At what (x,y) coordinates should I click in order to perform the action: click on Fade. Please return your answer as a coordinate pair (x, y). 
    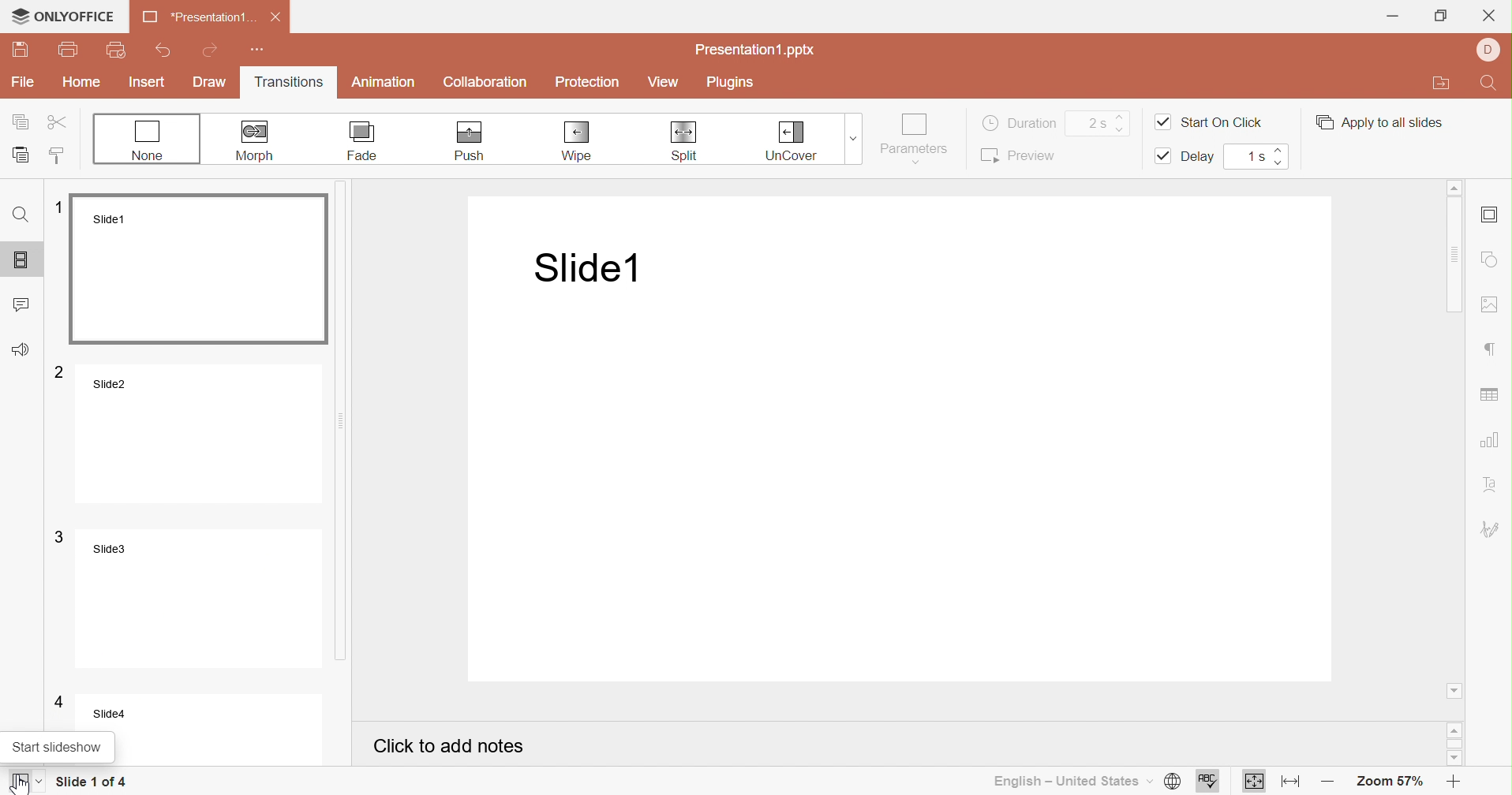
    Looking at the image, I should click on (364, 141).